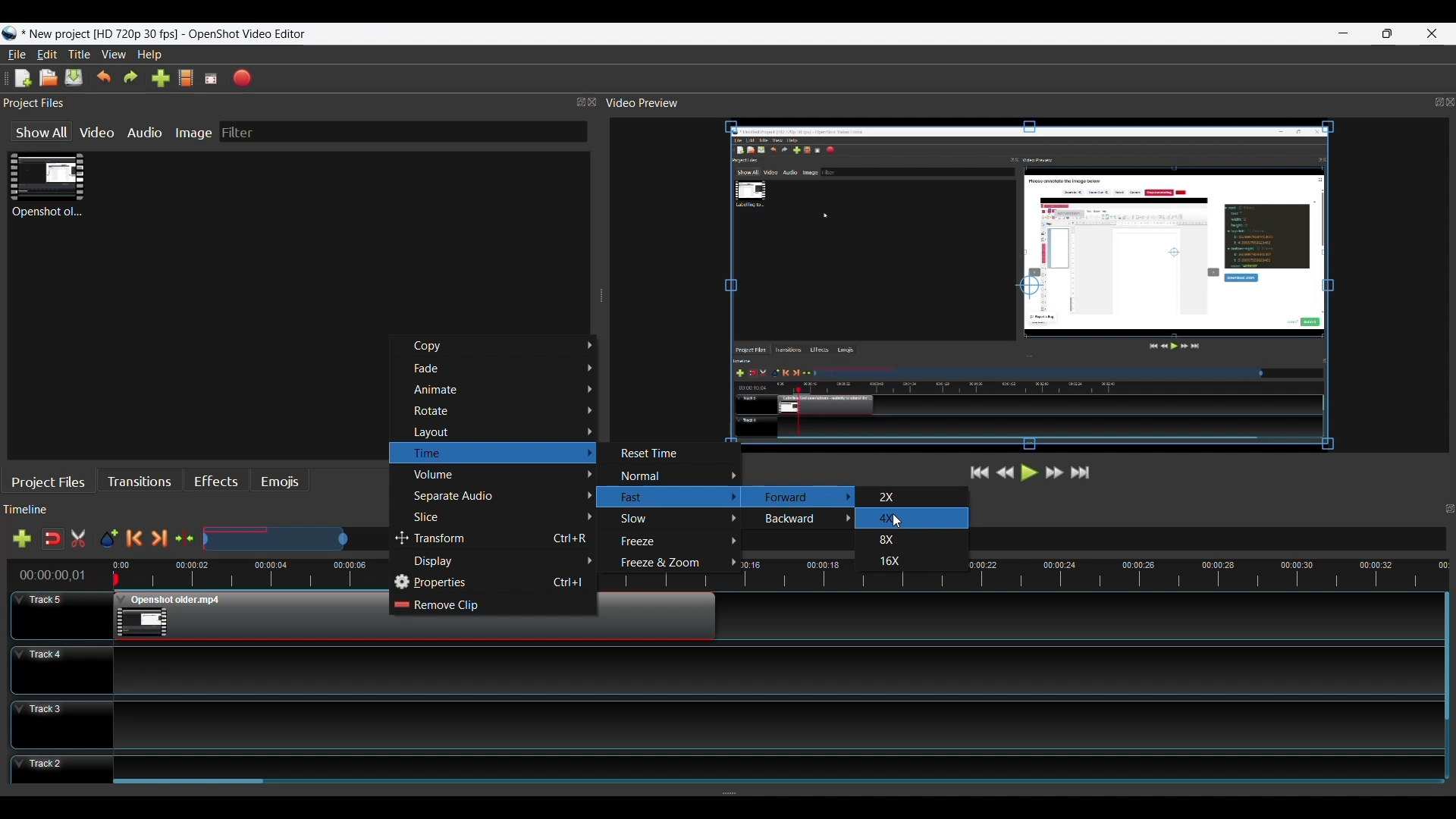 The height and width of the screenshot is (819, 1456). Describe the element at coordinates (134, 539) in the screenshot. I see `Previous Marker` at that location.